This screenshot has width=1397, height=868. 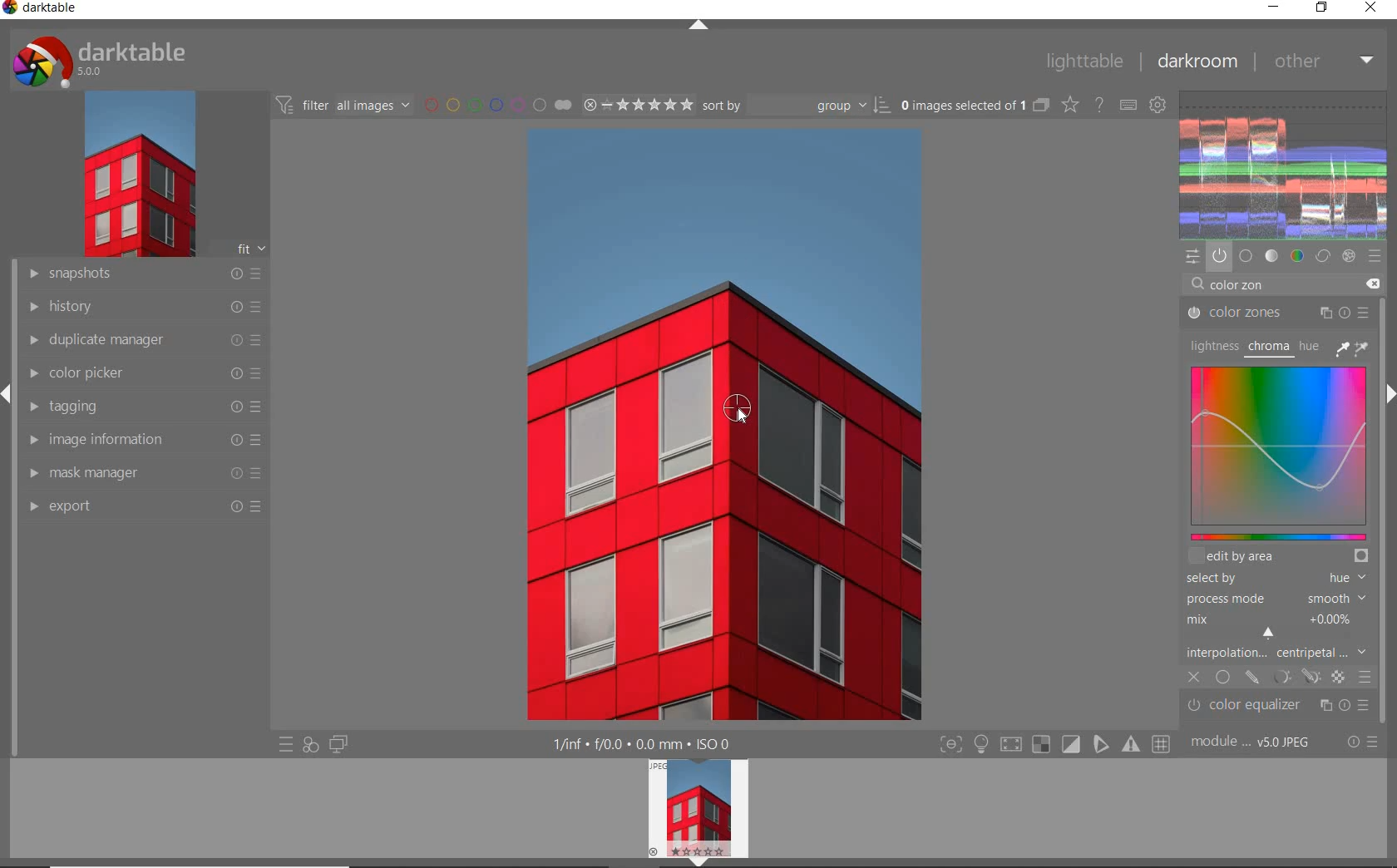 I want to click on tagging, so click(x=141, y=407).